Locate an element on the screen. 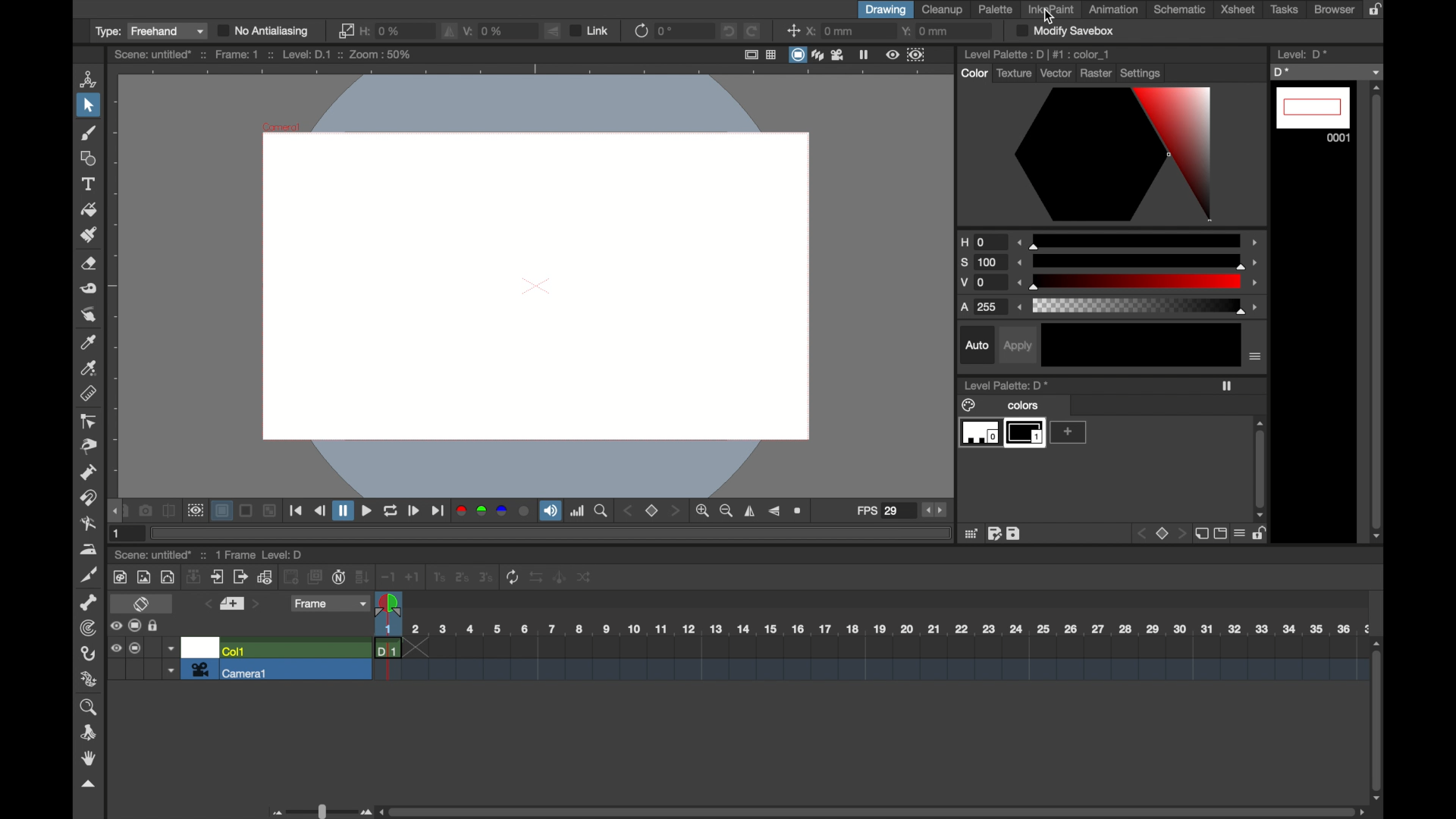 The width and height of the screenshot is (1456, 819). eraser tool is located at coordinates (88, 264).